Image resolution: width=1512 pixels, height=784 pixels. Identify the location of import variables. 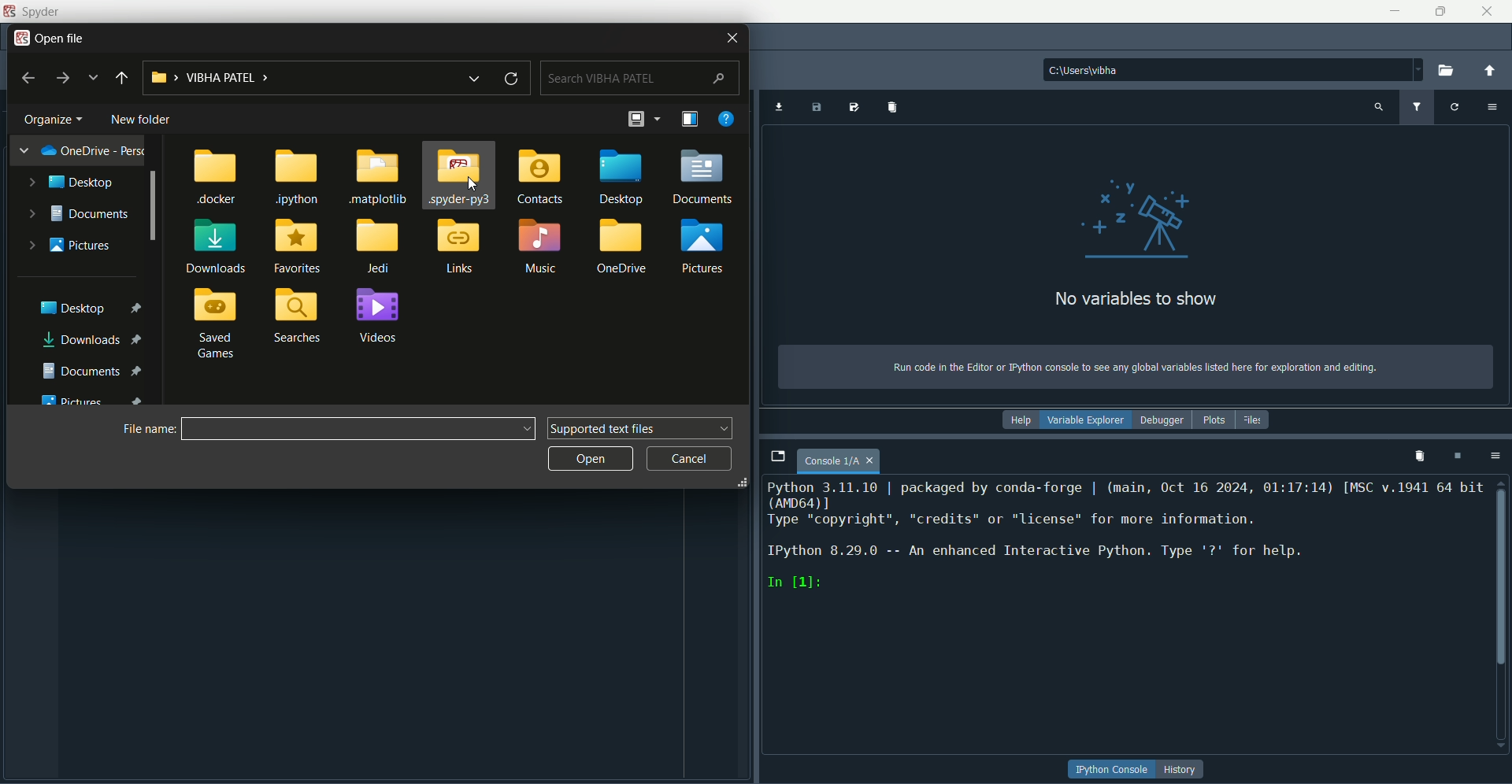
(891, 108).